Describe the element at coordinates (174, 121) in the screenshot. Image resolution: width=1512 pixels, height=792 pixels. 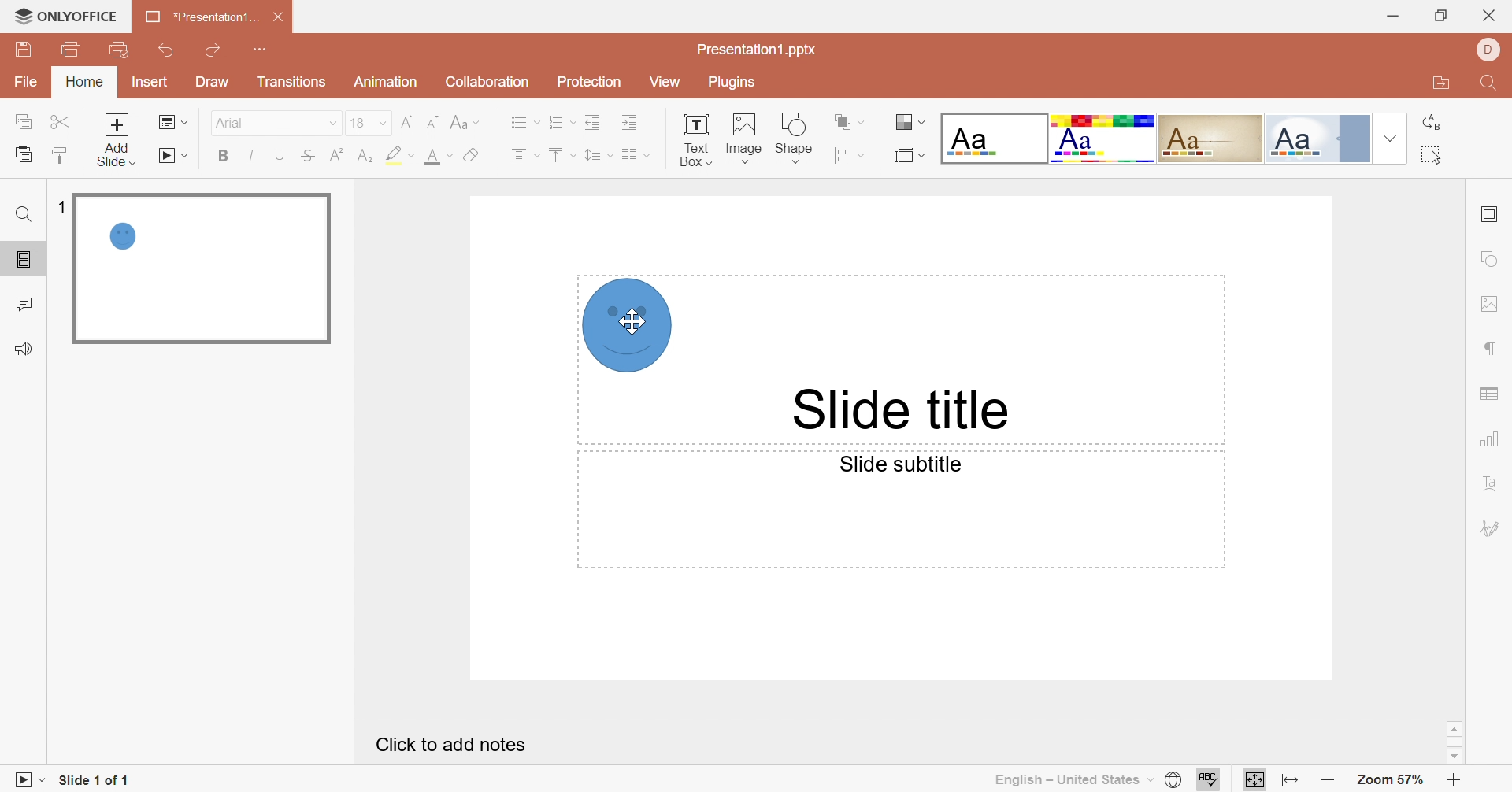
I see `Change slide layout` at that location.